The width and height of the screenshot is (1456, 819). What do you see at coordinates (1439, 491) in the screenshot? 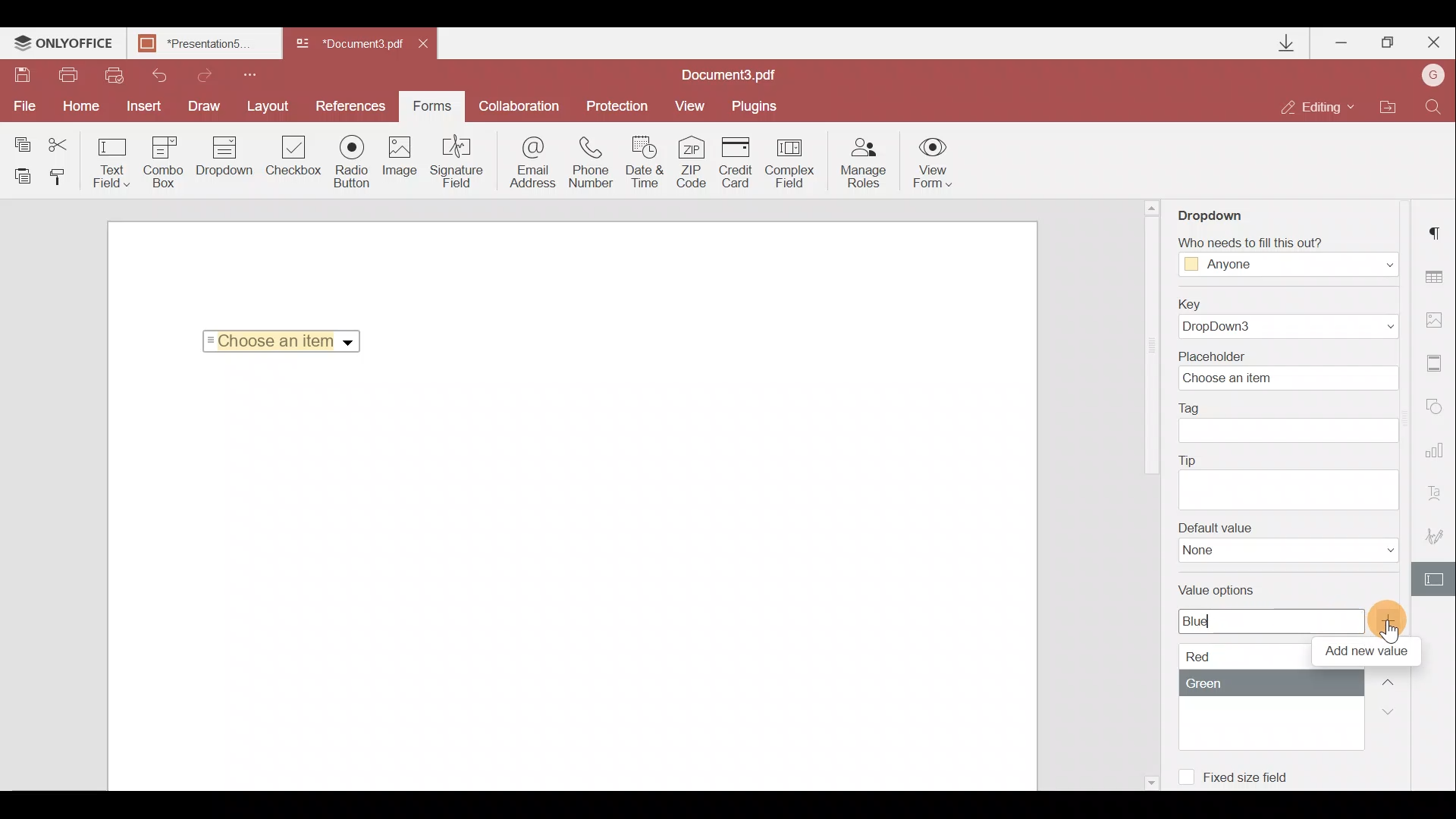
I see `Text Art settings` at bounding box center [1439, 491].